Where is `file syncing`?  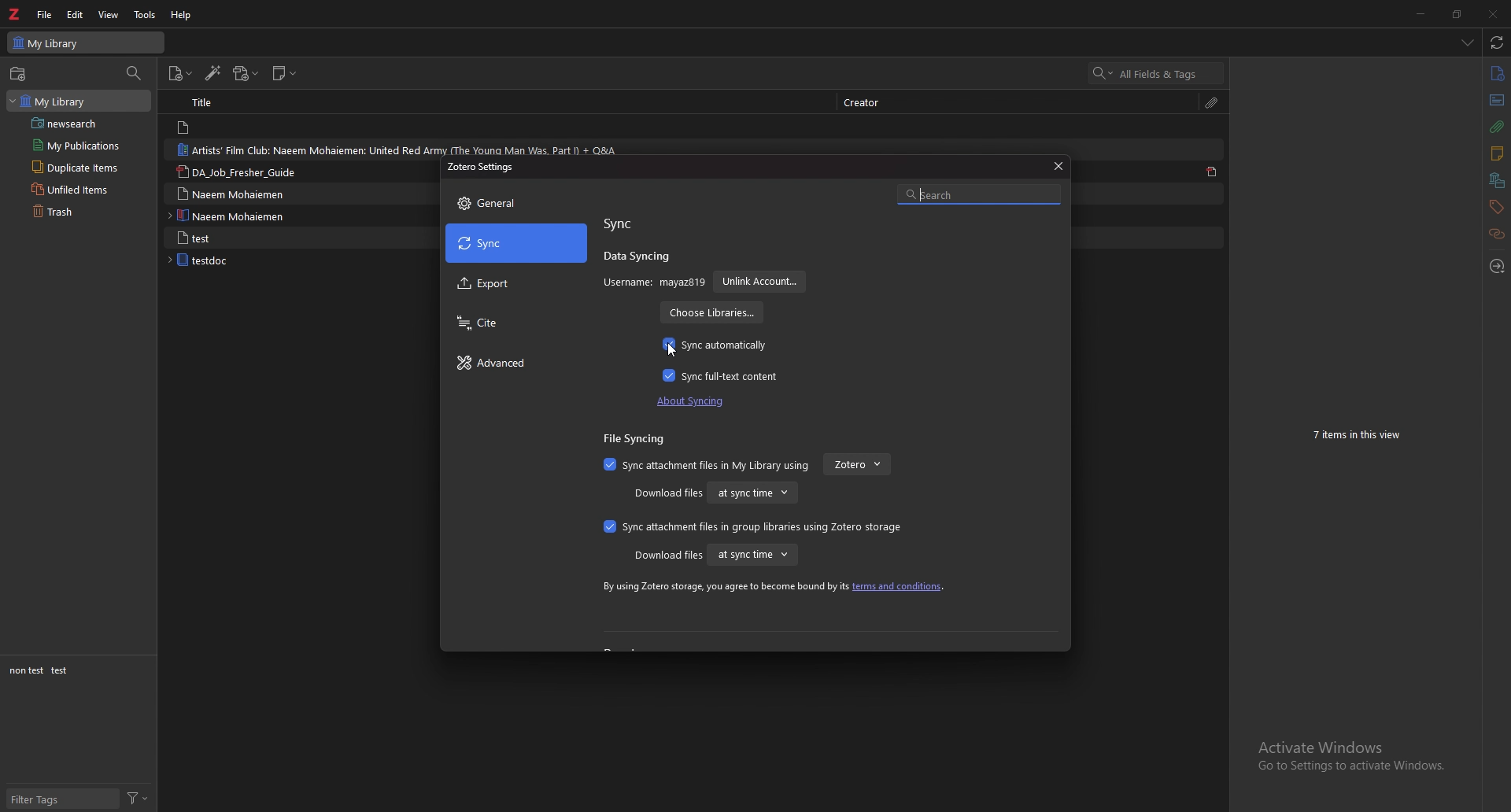
file syncing is located at coordinates (639, 439).